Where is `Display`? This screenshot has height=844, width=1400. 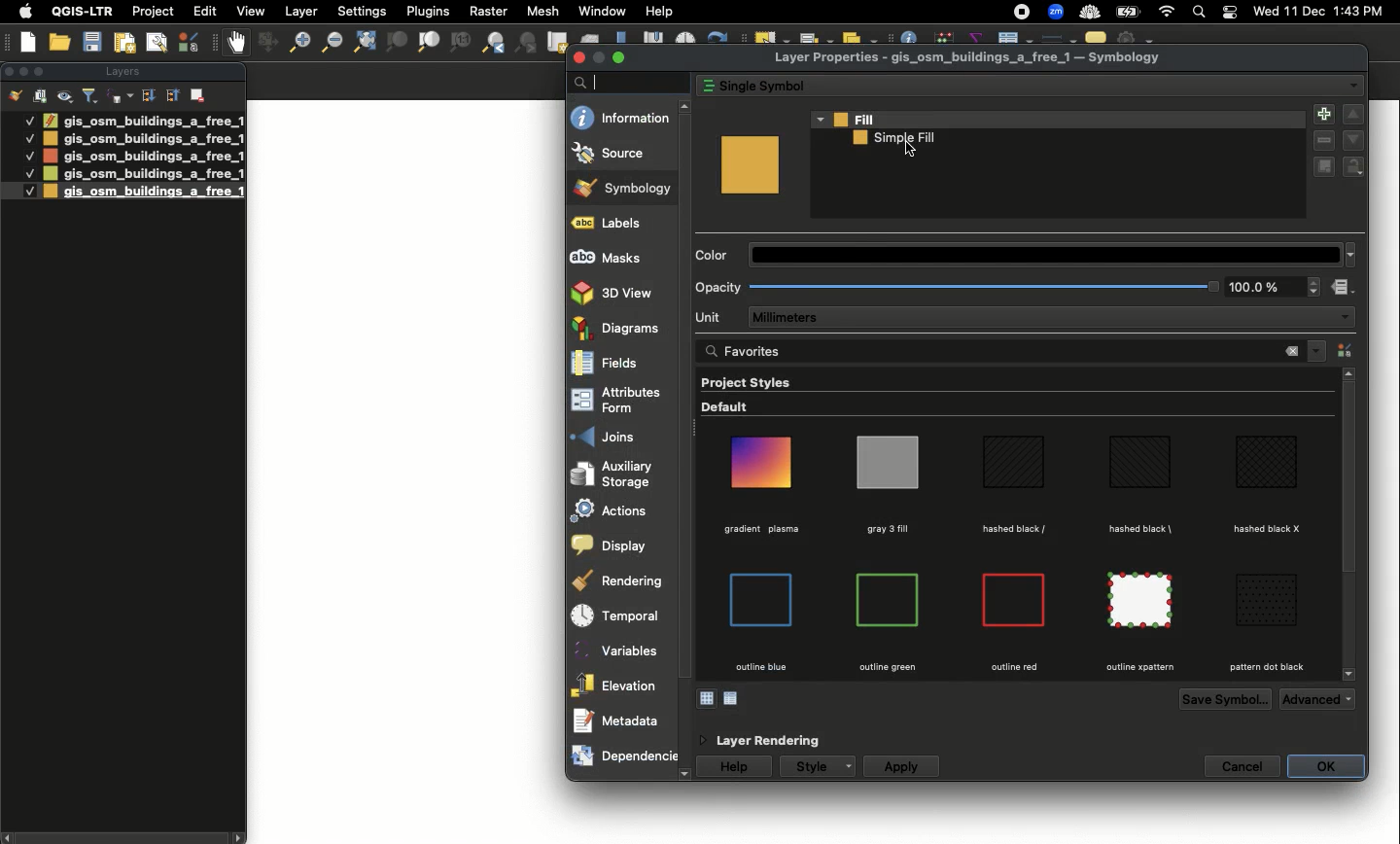
Display is located at coordinates (618, 544).